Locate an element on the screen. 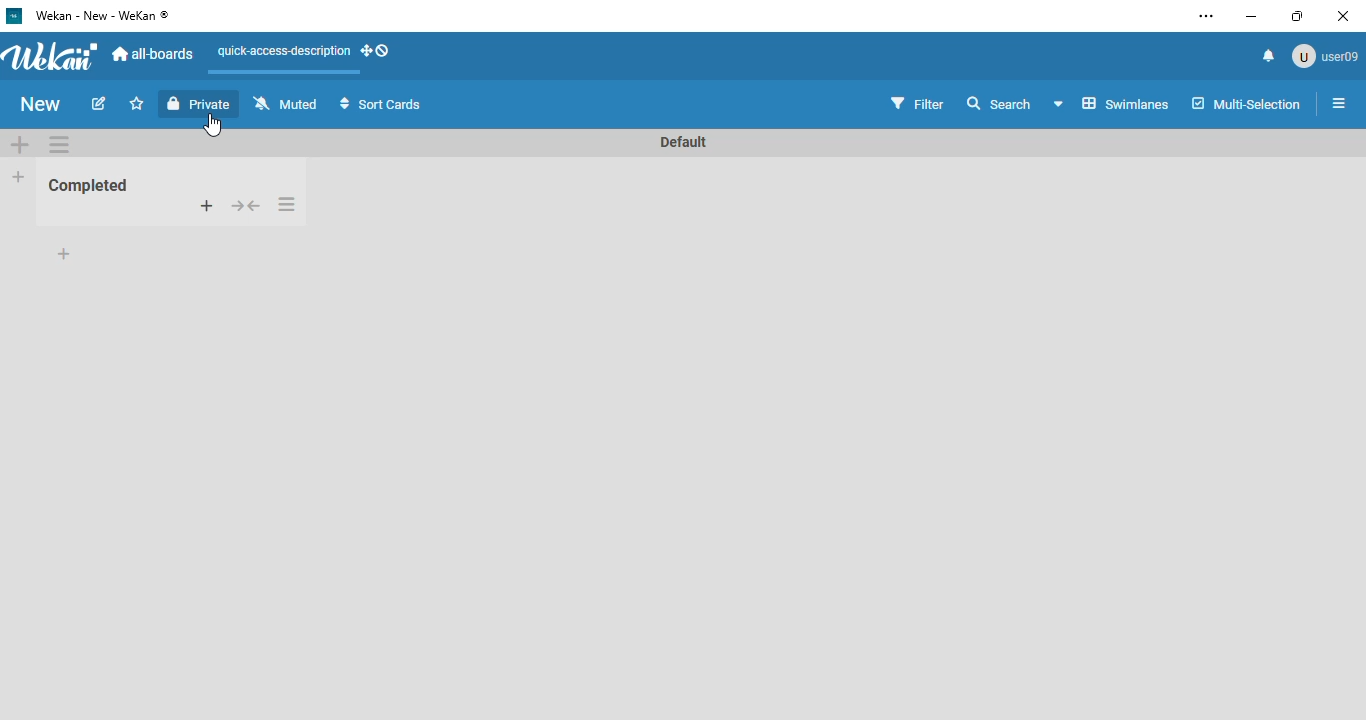 This screenshot has width=1366, height=720. muted is located at coordinates (284, 103).